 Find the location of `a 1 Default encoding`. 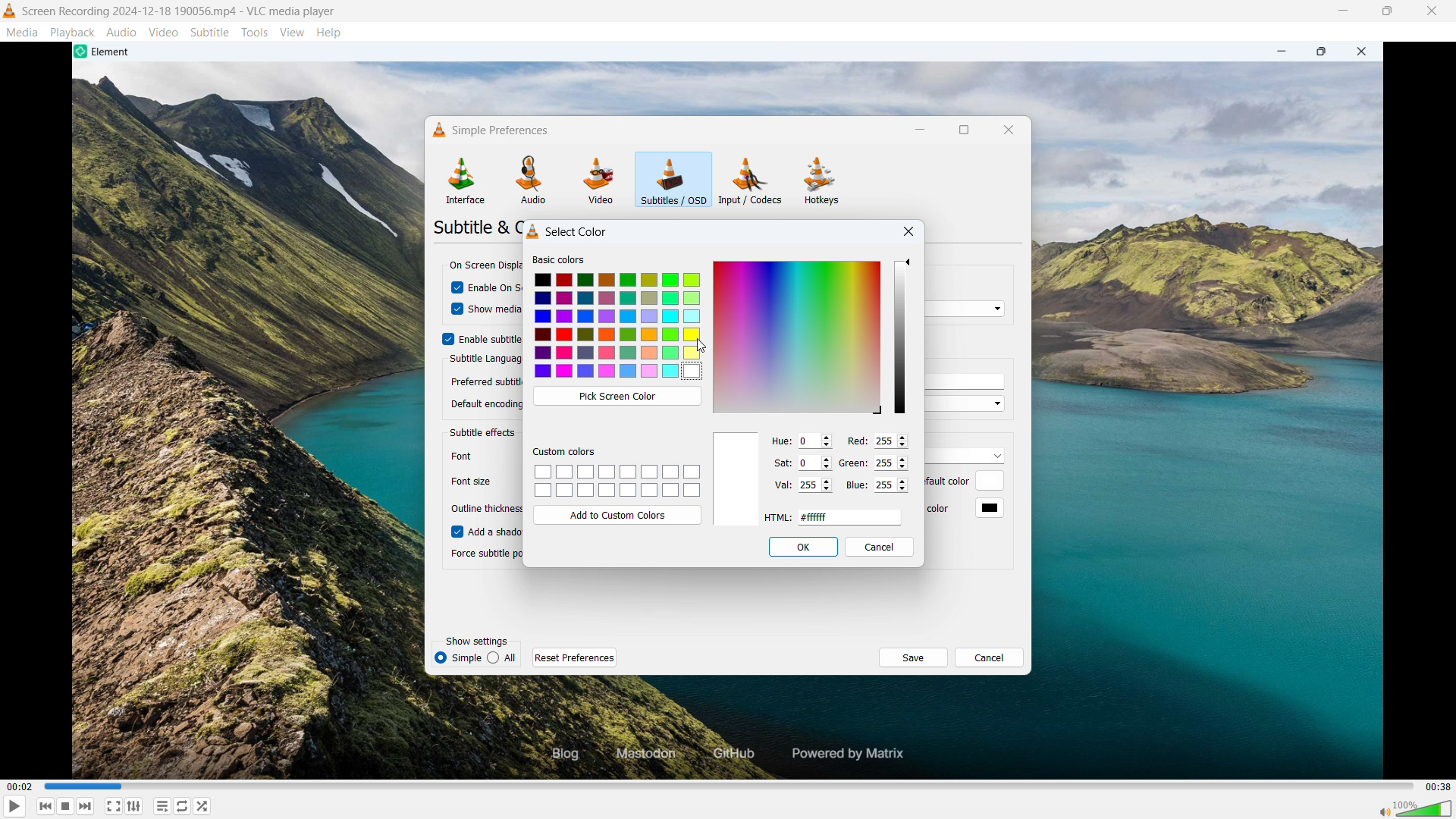

a 1 Default encoding is located at coordinates (483, 405).